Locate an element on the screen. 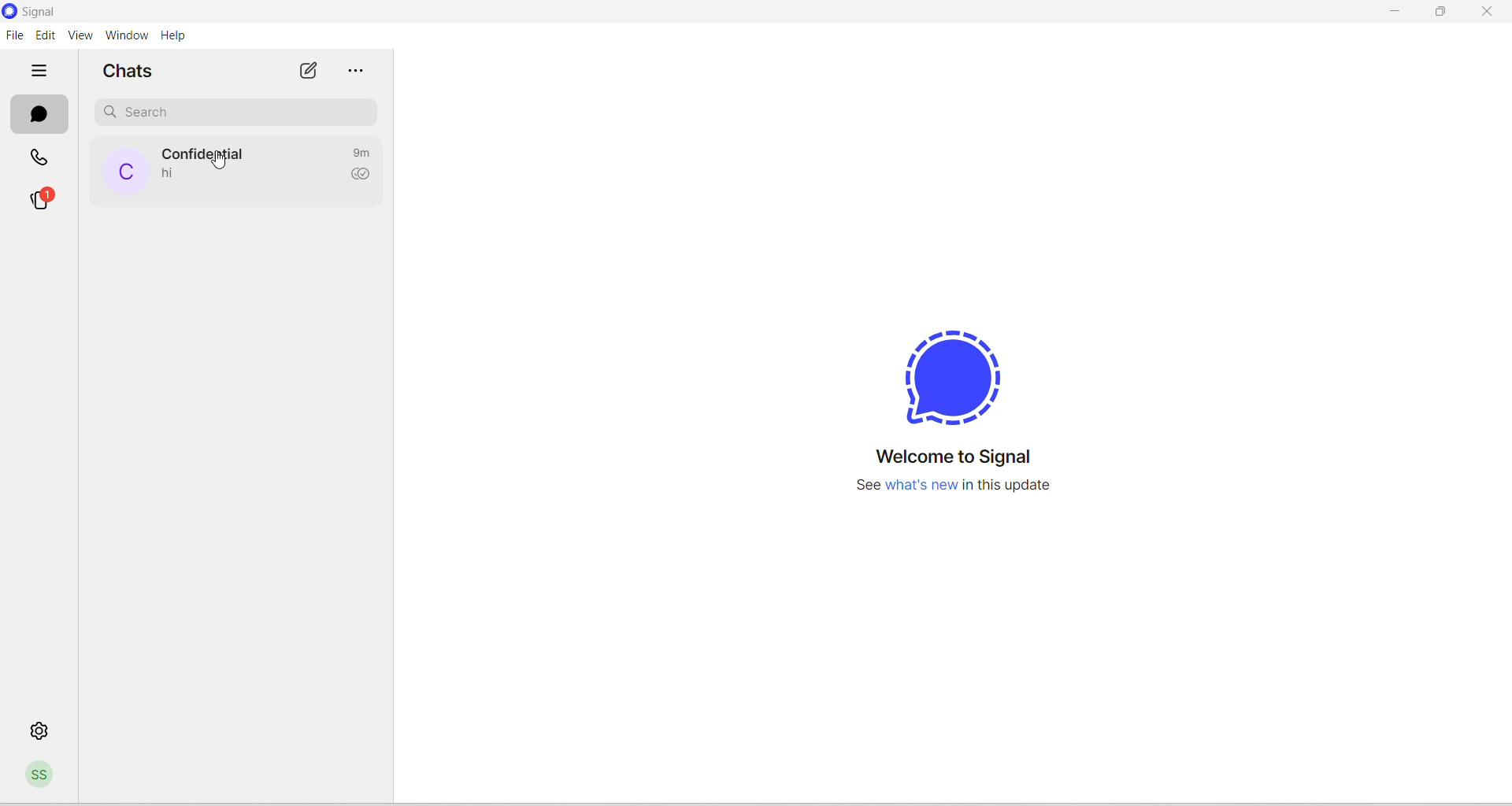  file is located at coordinates (14, 38).